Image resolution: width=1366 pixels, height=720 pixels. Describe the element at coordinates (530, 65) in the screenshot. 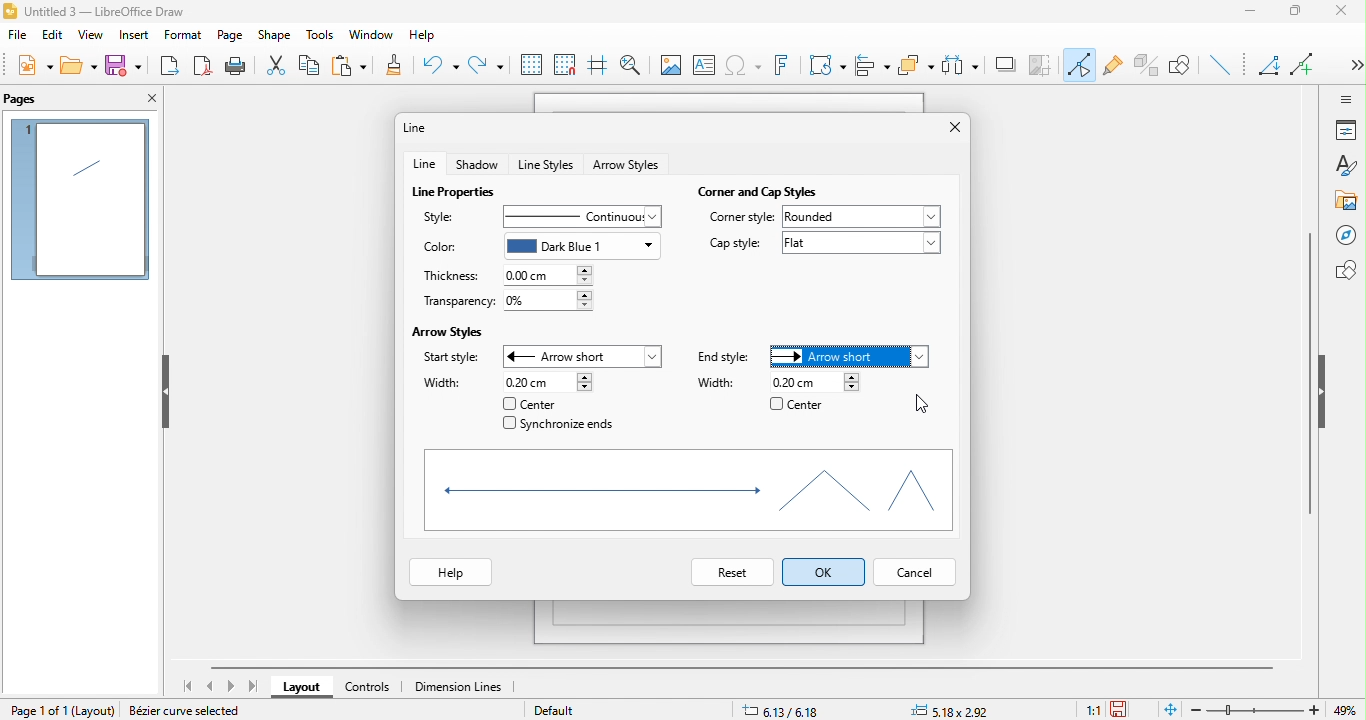

I see `display to grid` at that location.